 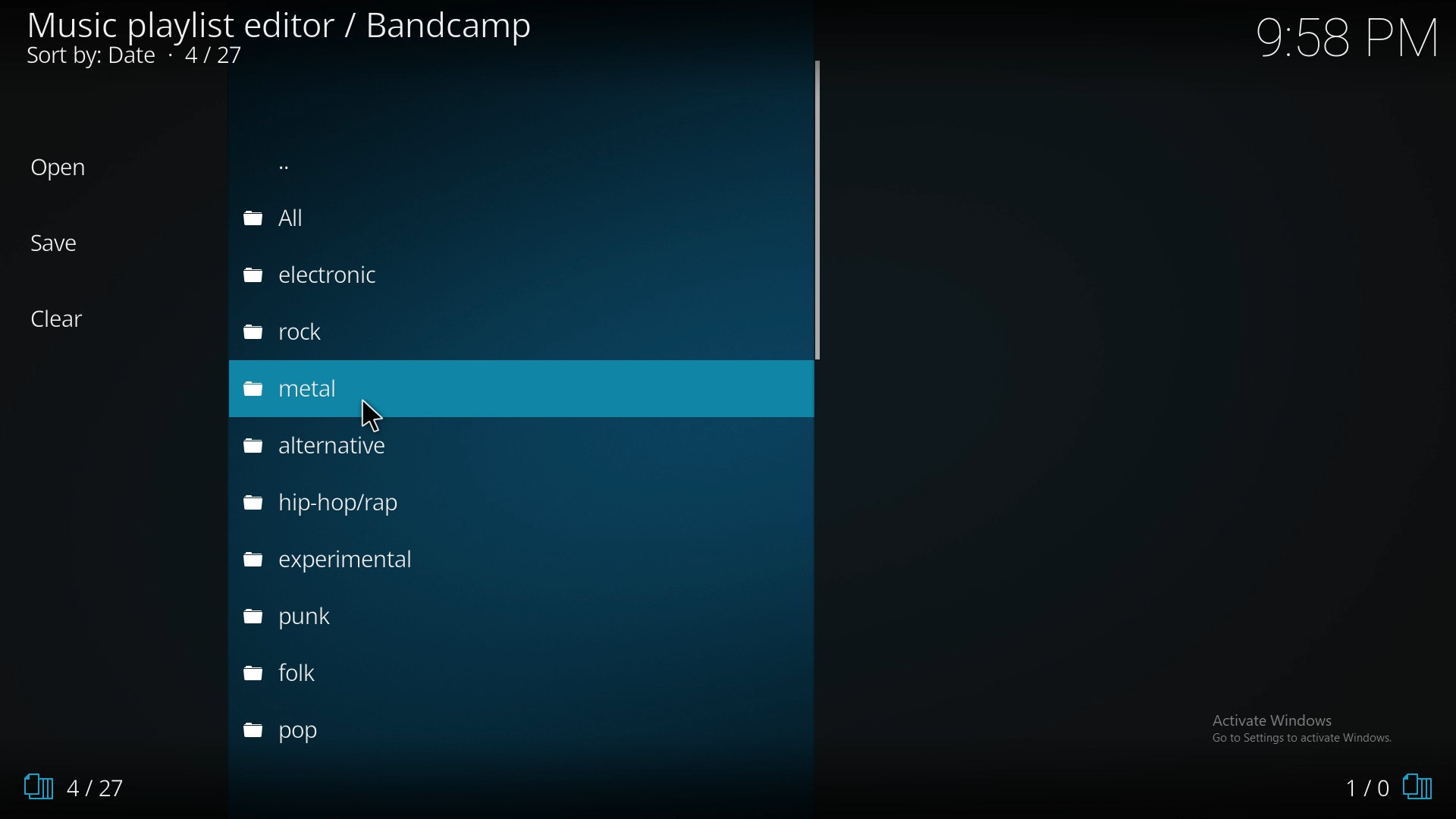 What do you see at coordinates (362, 667) in the screenshot?
I see `music genre` at bounding box center [362, 667].